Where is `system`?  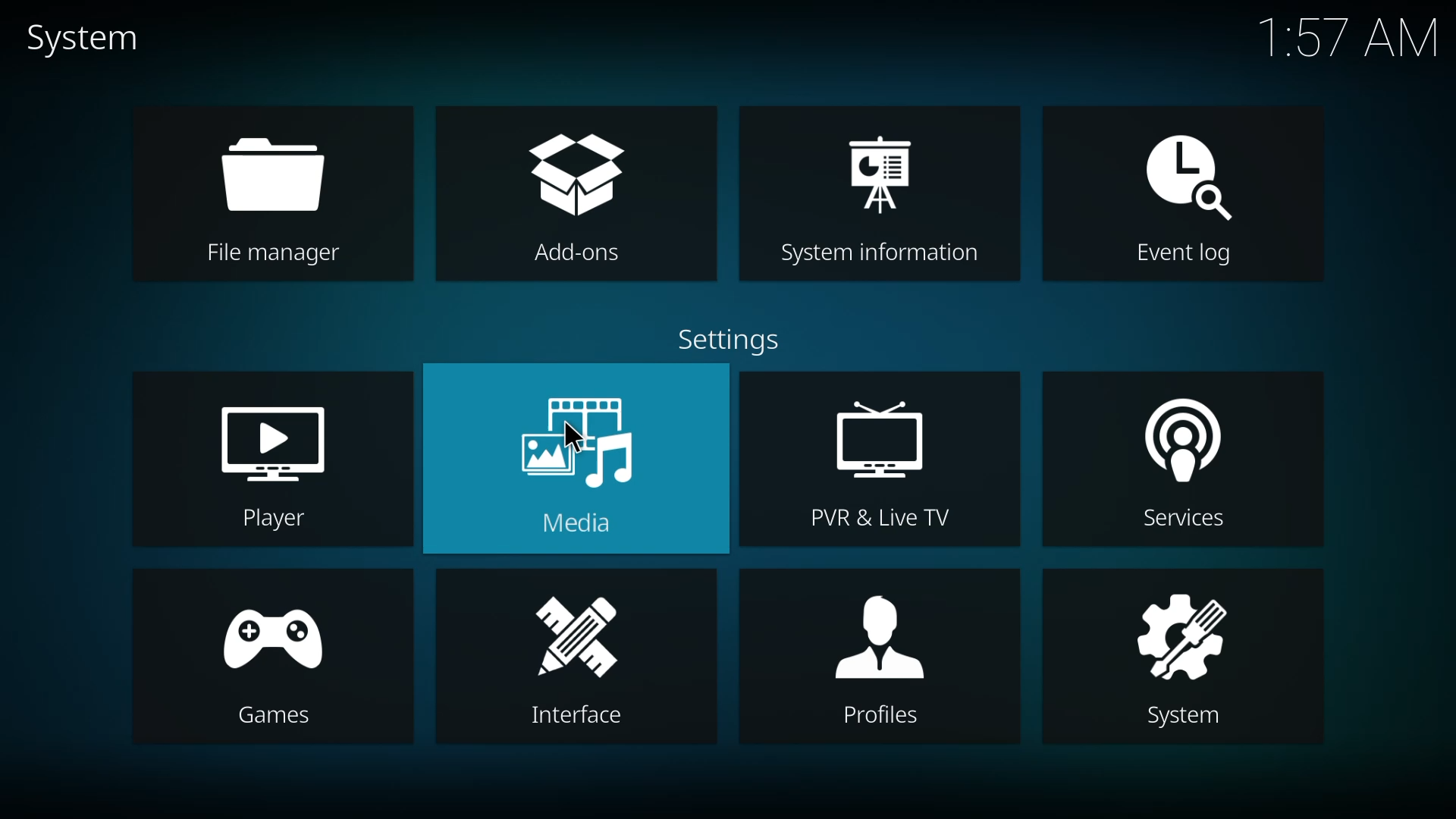
system is located at coordinates (89, 38).